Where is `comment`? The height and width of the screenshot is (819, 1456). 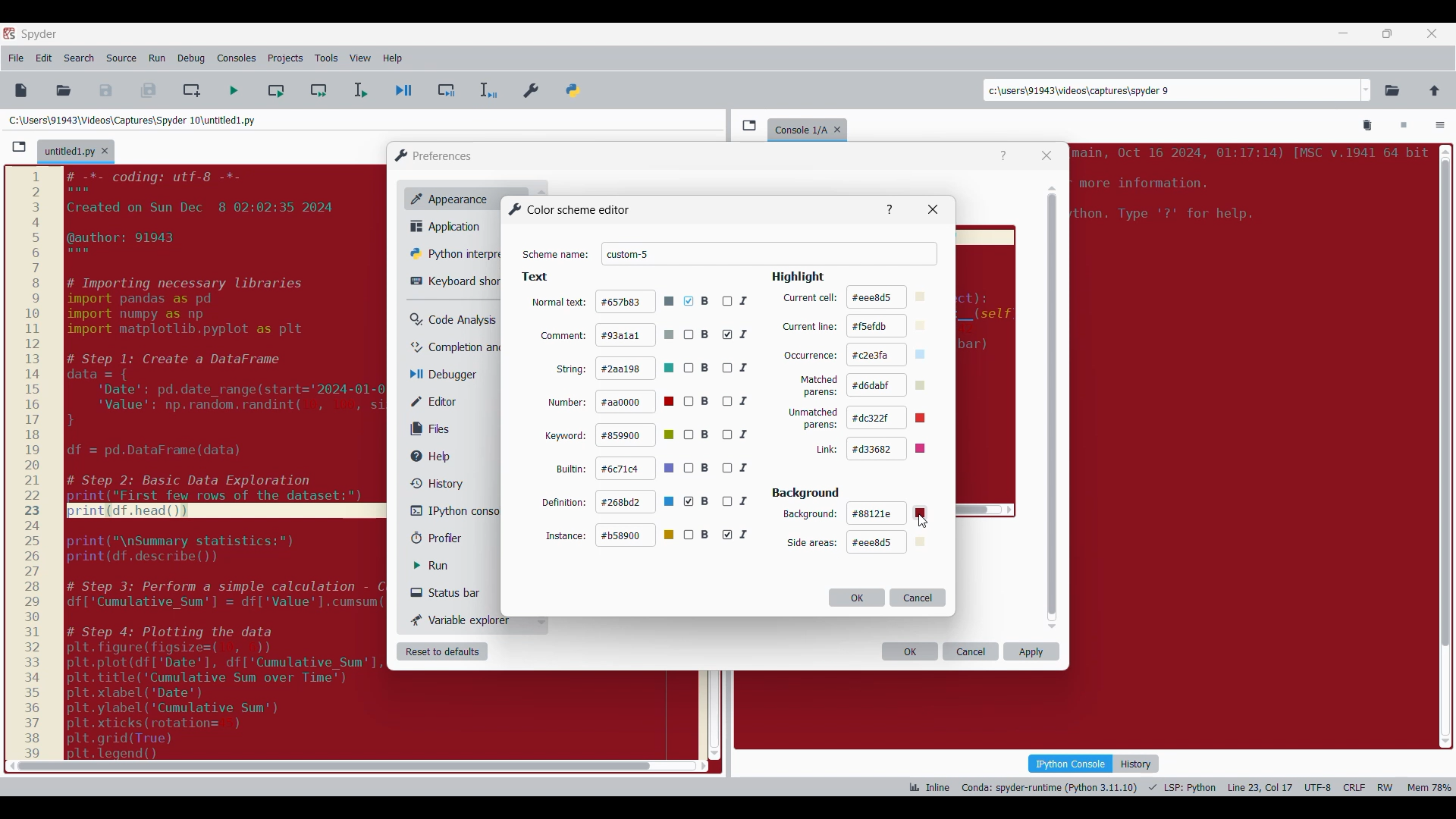
comment is located at coordinates (563, 335).